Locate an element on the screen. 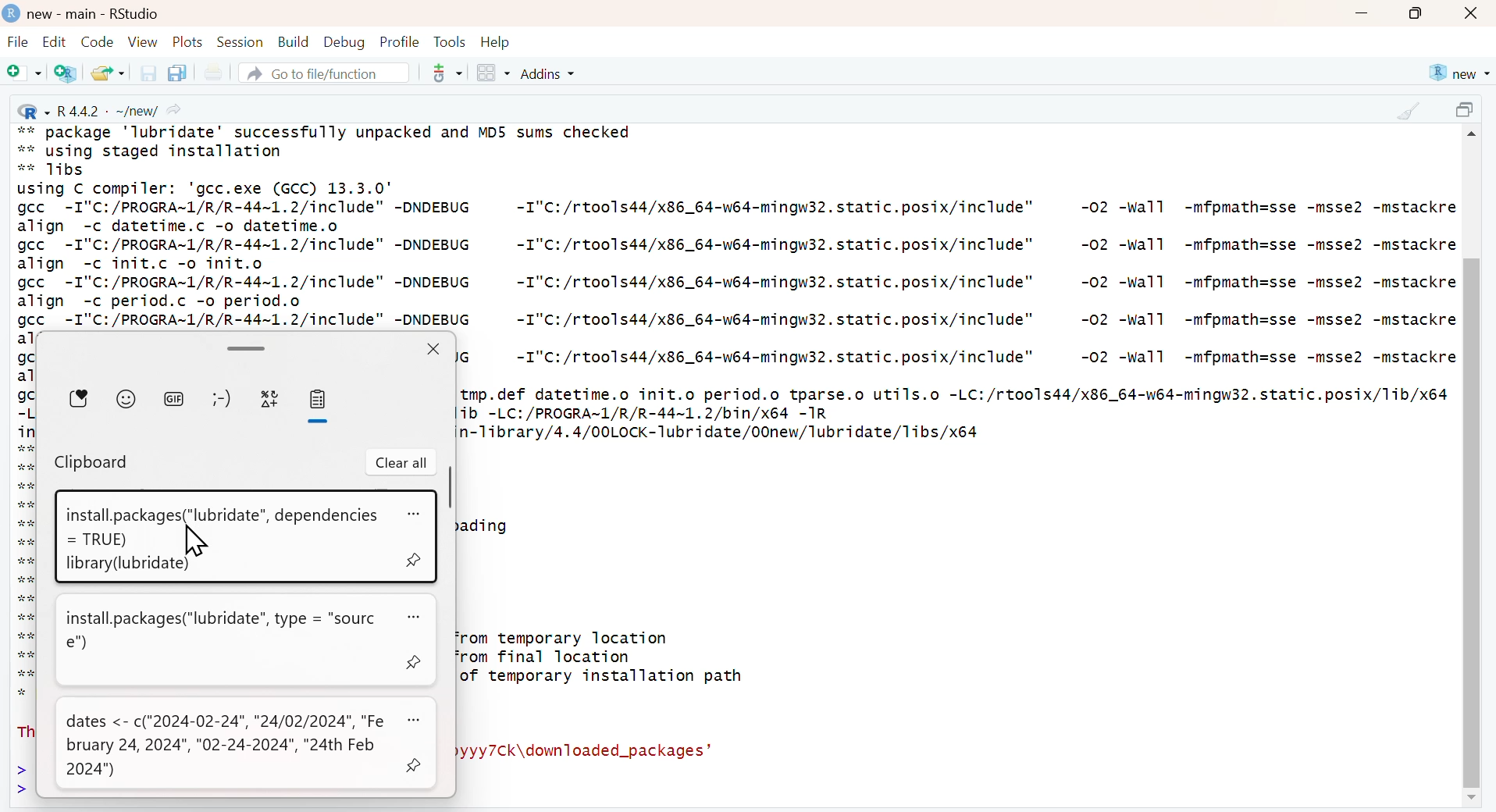 This screenshot has width=1496, height=812. File is located at coordinates (18, 44).